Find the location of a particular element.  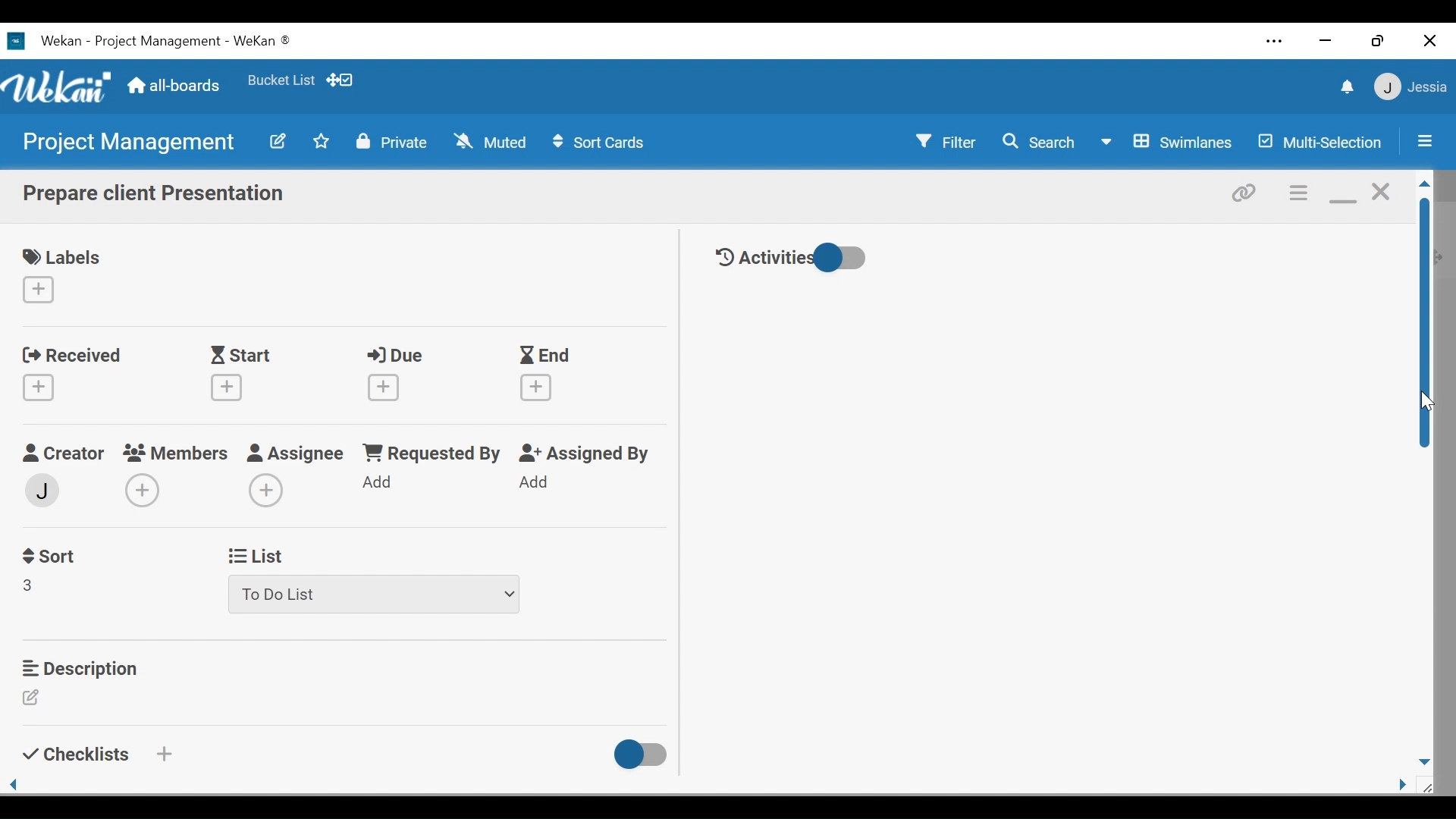

Description is located at coordinates (80, 669).